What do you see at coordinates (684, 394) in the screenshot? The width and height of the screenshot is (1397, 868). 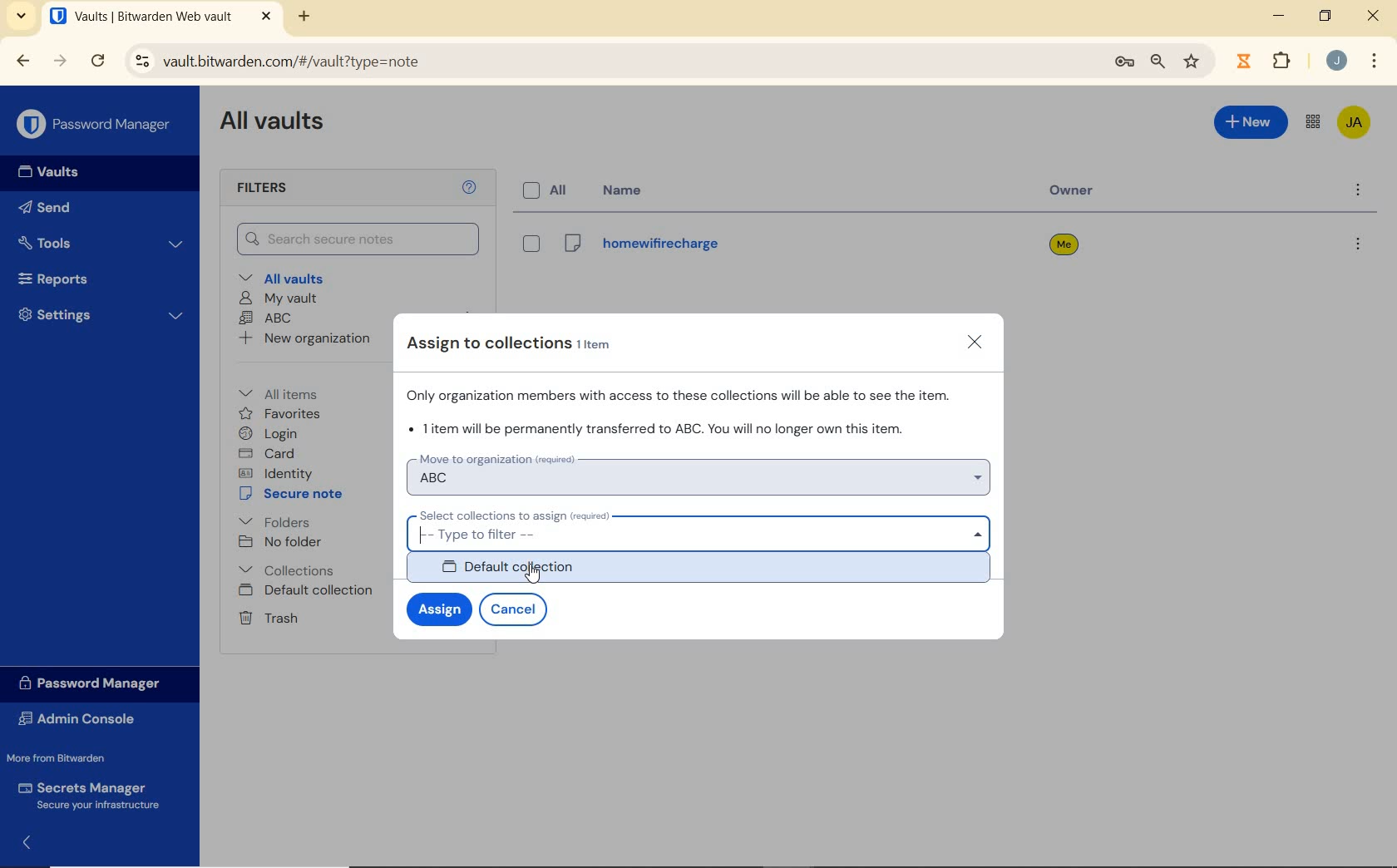 I see `Organization members will access these collections` at bounding box center [684, 394].